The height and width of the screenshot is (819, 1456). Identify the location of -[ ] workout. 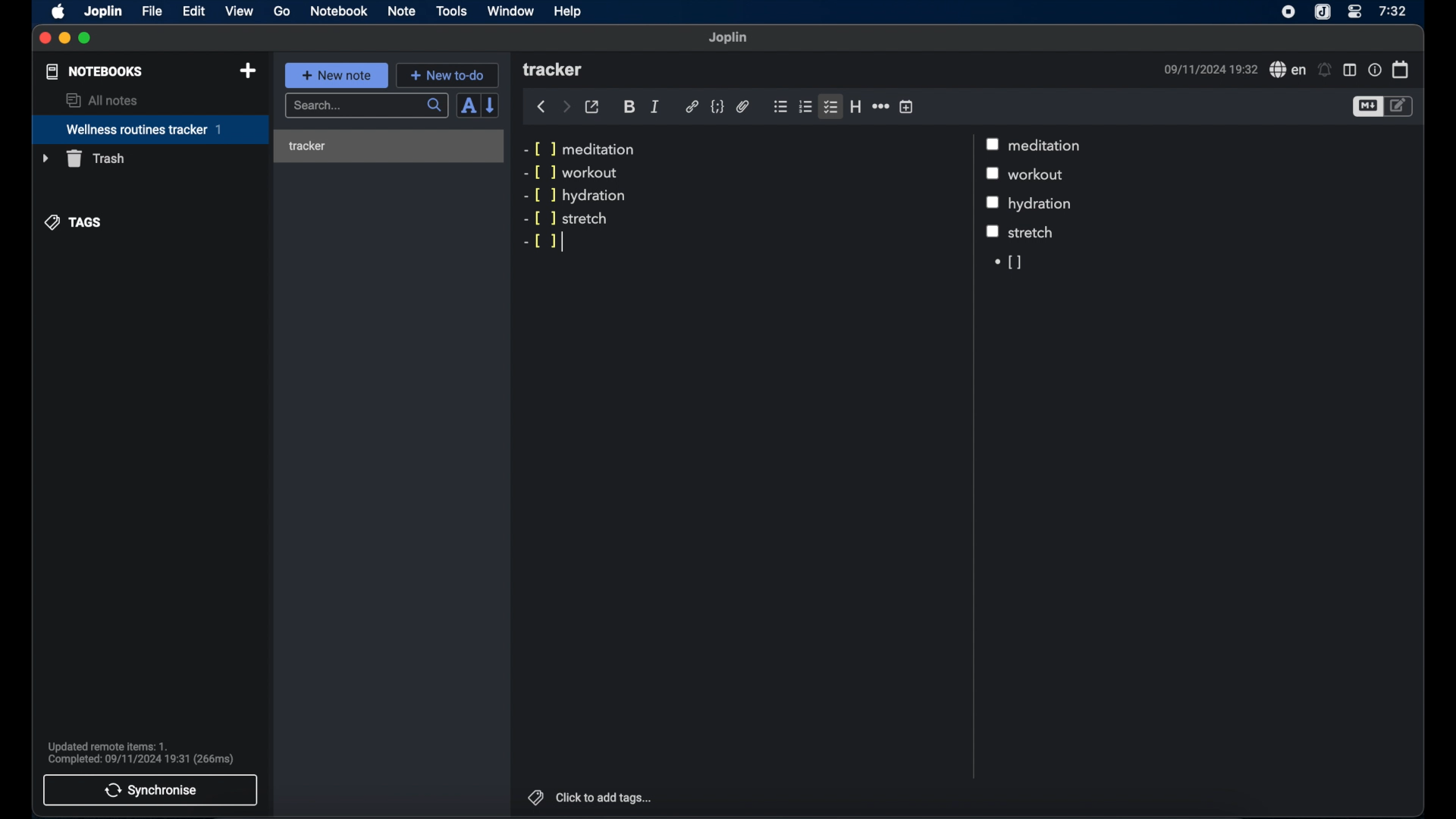
(571, 173).